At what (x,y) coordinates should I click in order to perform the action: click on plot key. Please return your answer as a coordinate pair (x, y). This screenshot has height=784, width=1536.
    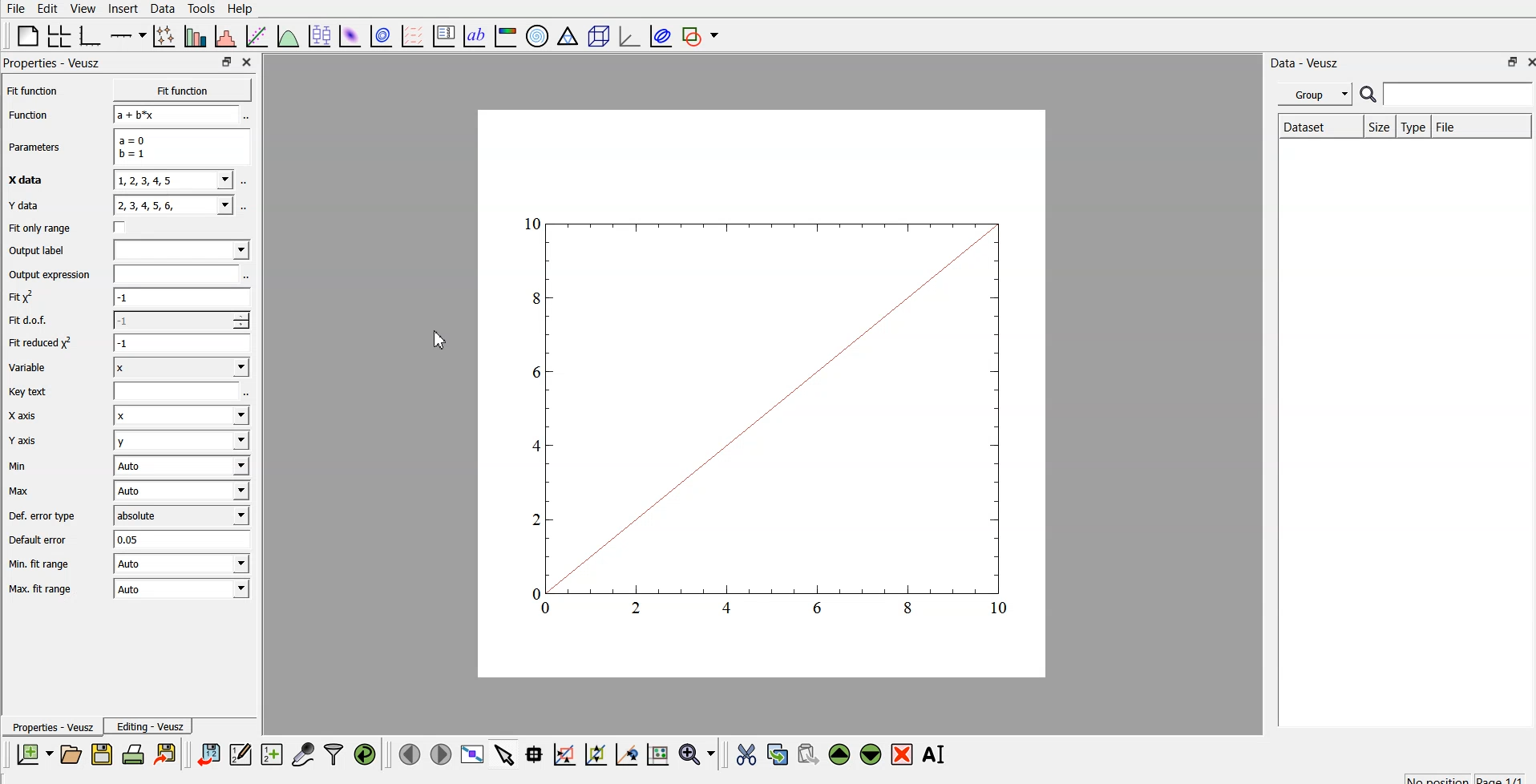
    Looking at the image, I should click on (446, 36).